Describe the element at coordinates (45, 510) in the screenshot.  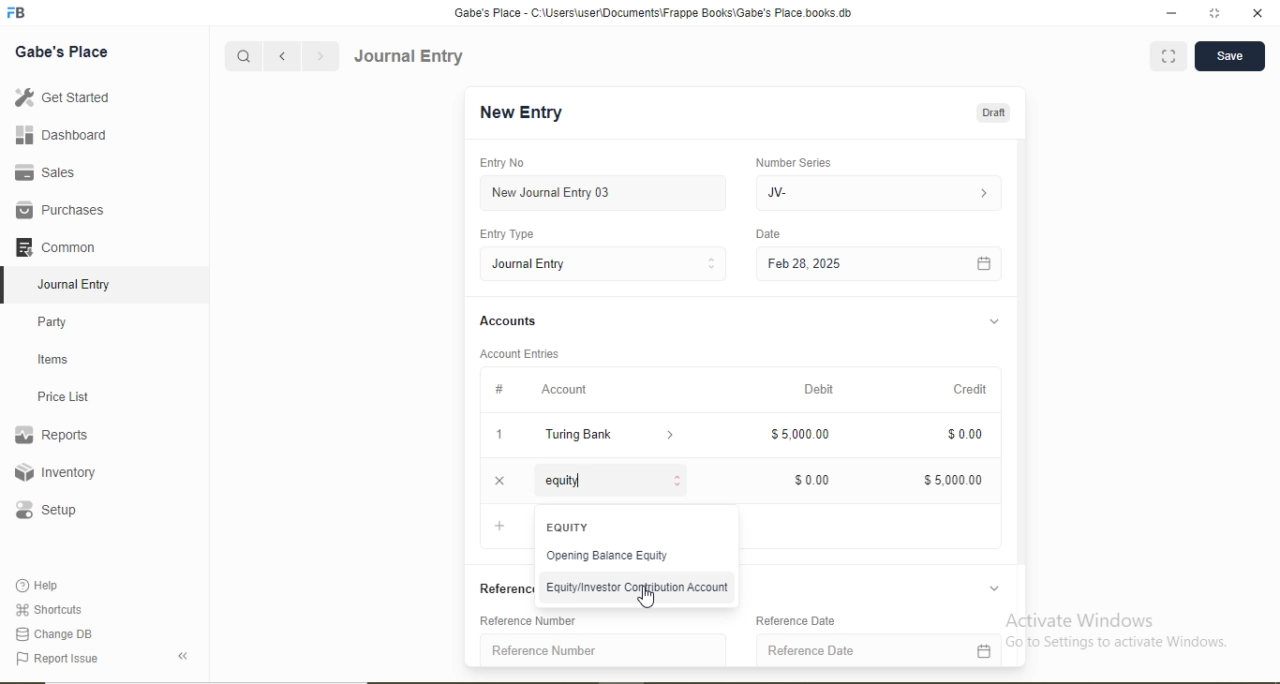
I see `Setup` at that location.